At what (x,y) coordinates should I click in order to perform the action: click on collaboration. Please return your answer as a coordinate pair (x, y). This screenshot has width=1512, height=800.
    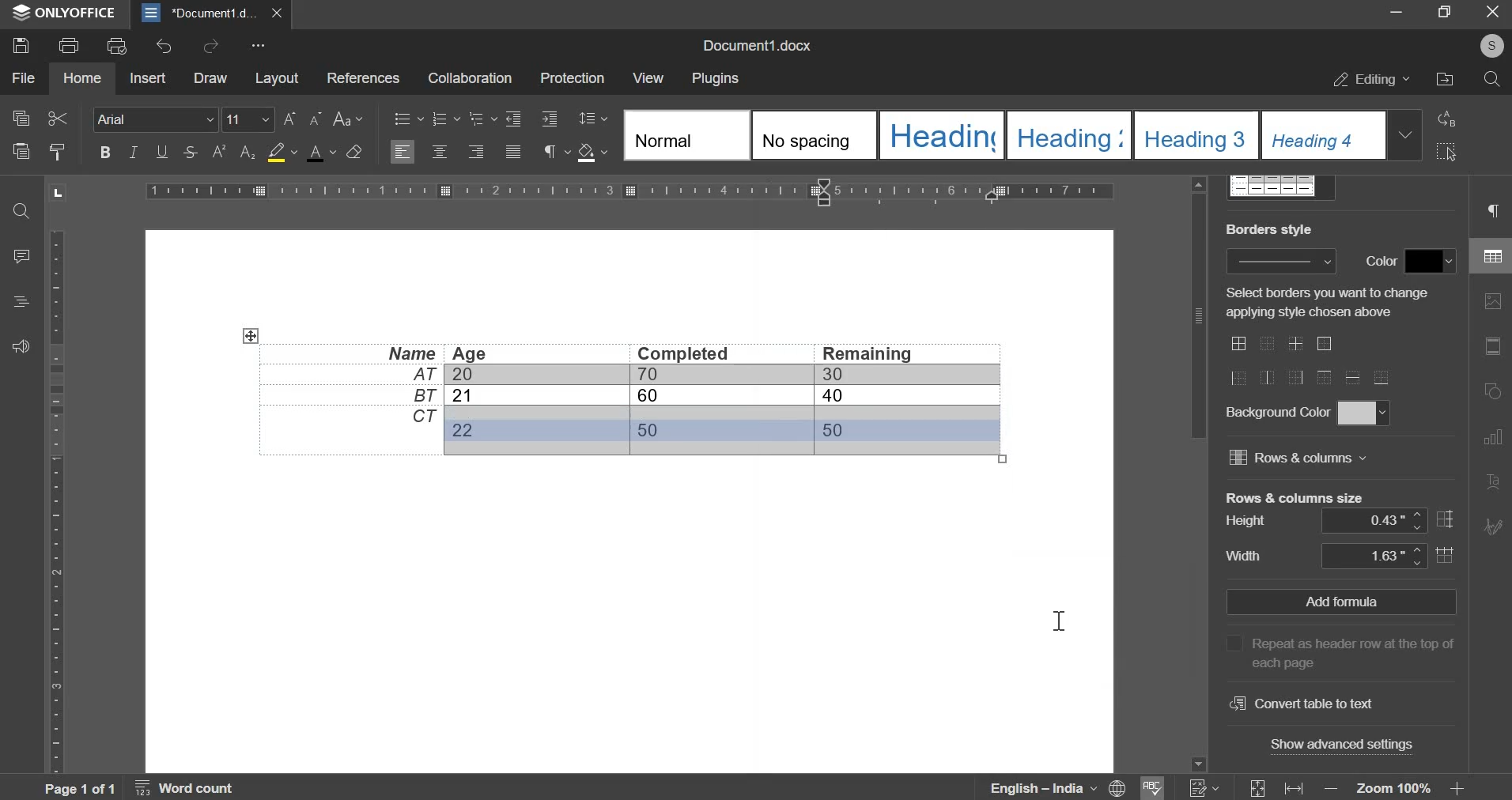
    Looking at the image, I should click on (469, 77).